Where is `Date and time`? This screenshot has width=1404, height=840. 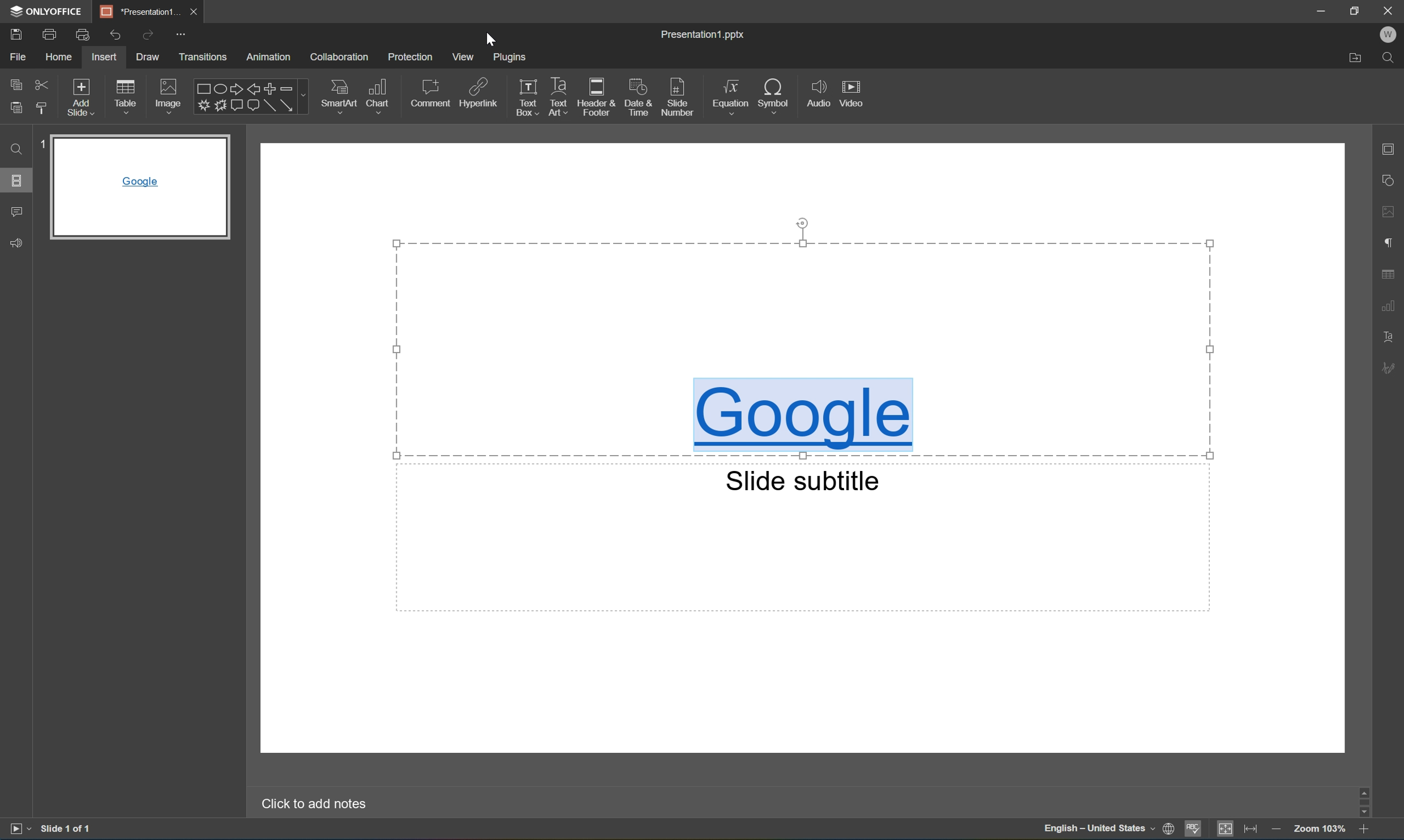
Date and time is located at coordinates (640, 95).